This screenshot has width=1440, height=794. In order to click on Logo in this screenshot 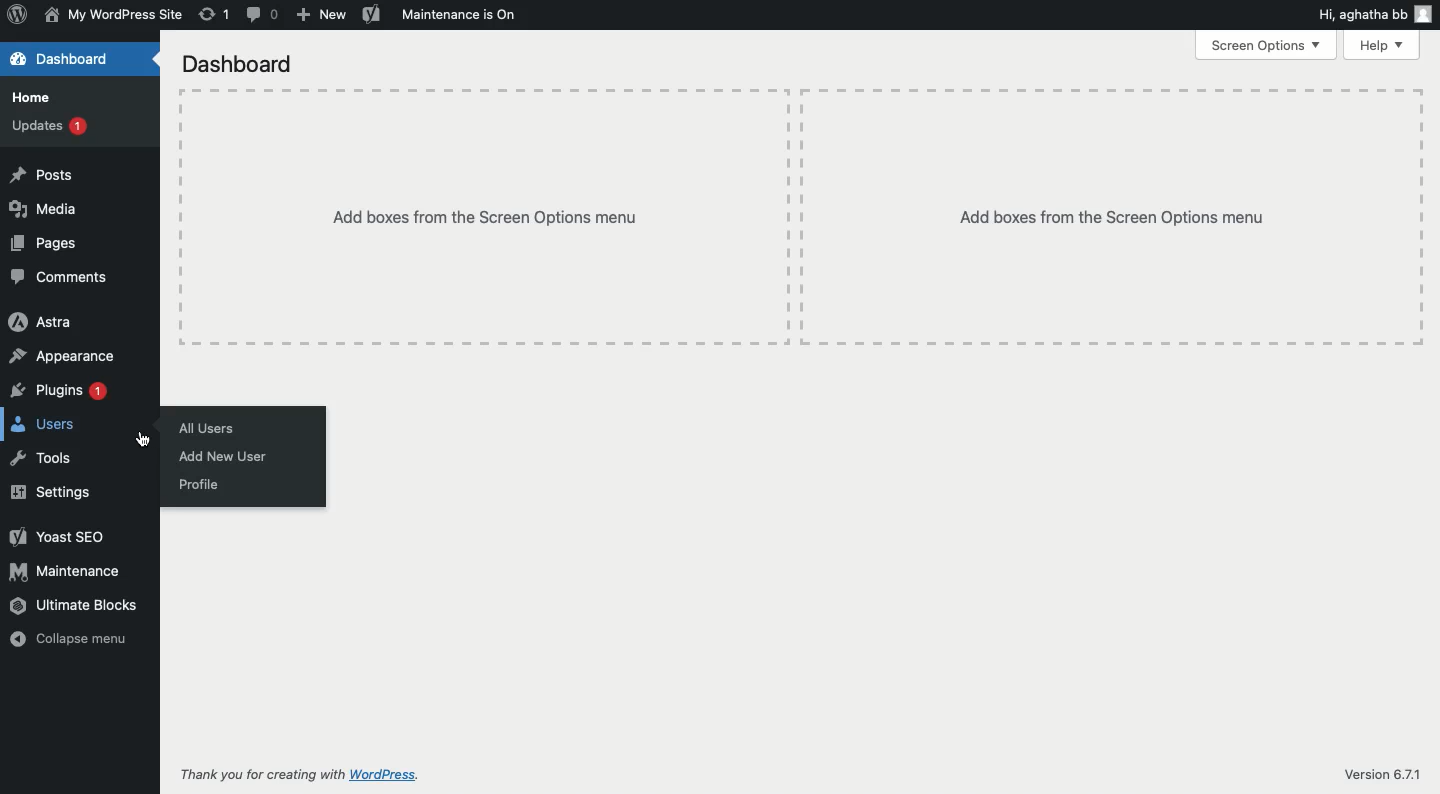, I will do `click(18, 17)`.